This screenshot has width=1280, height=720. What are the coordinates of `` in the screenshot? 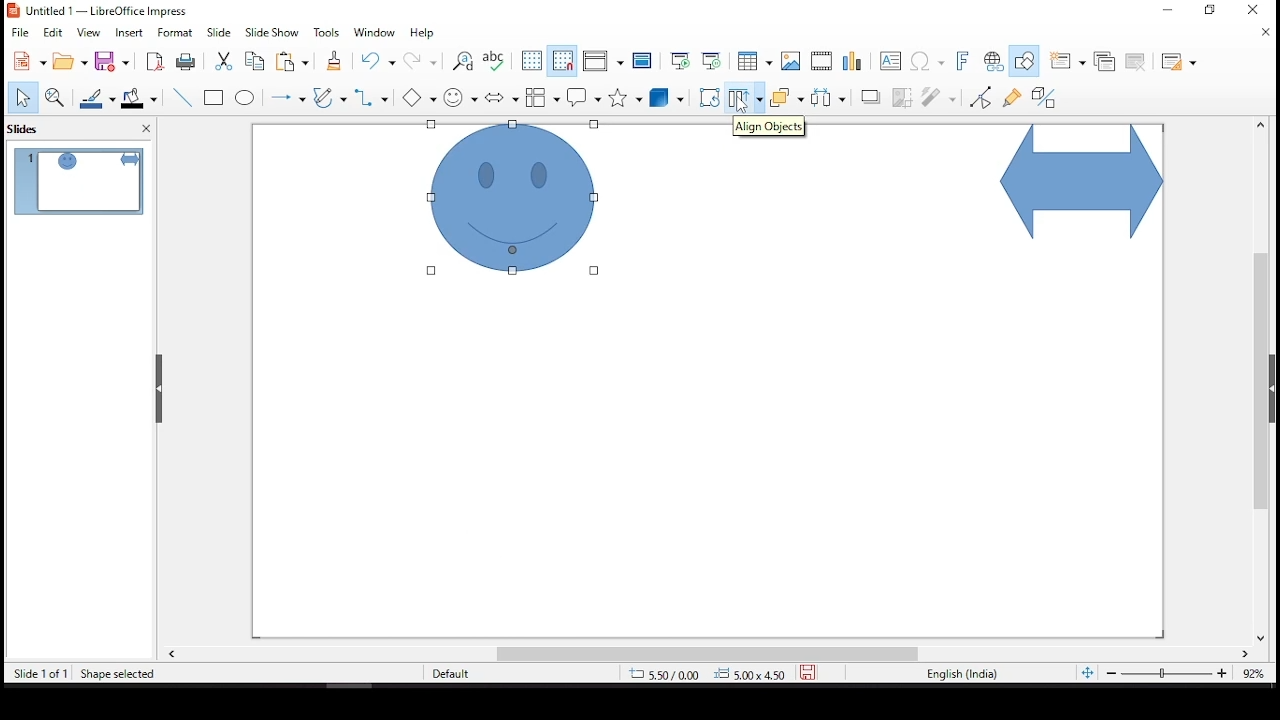 It's located at (423, 98).